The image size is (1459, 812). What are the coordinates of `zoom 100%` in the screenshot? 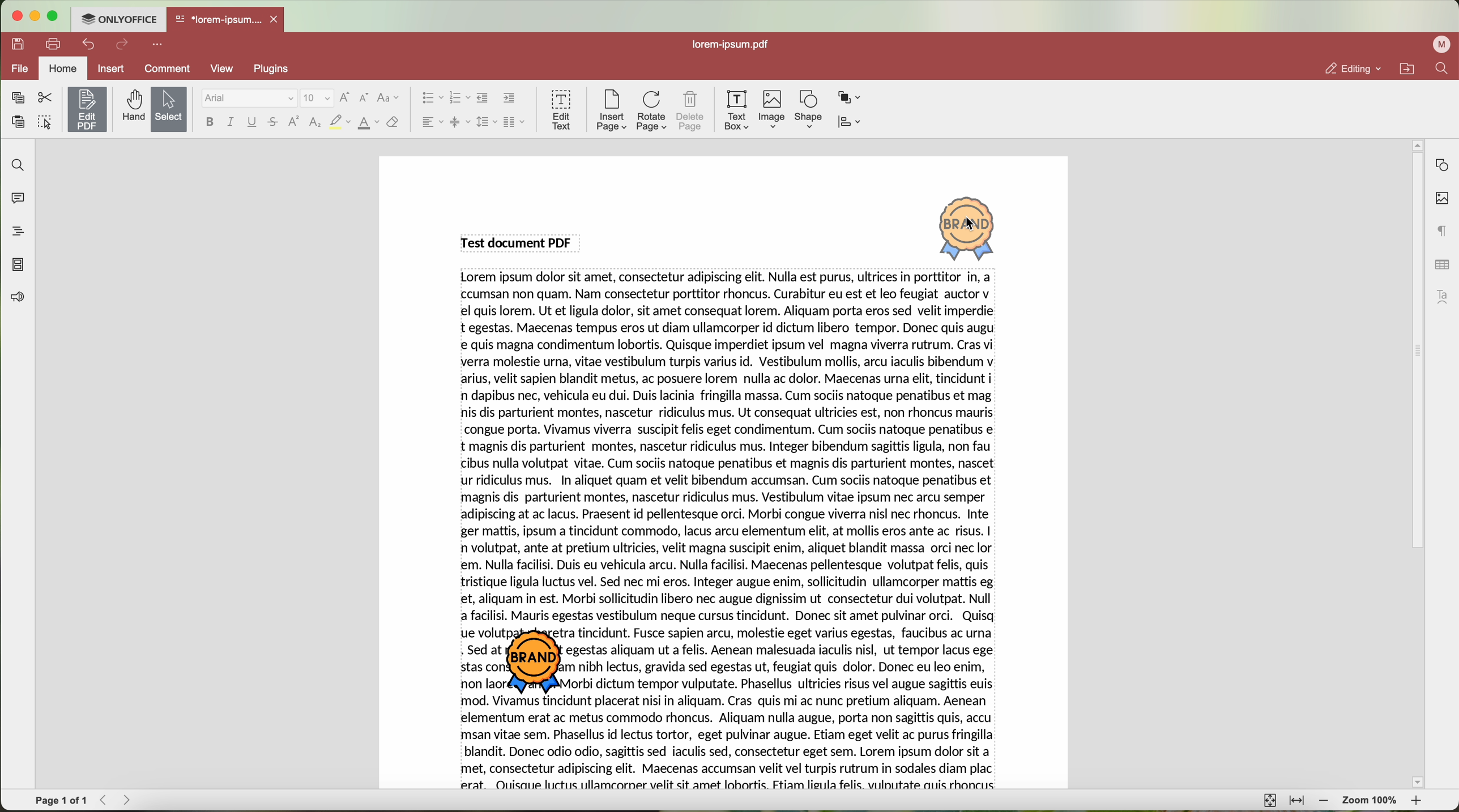 It's located at (1371, 802).